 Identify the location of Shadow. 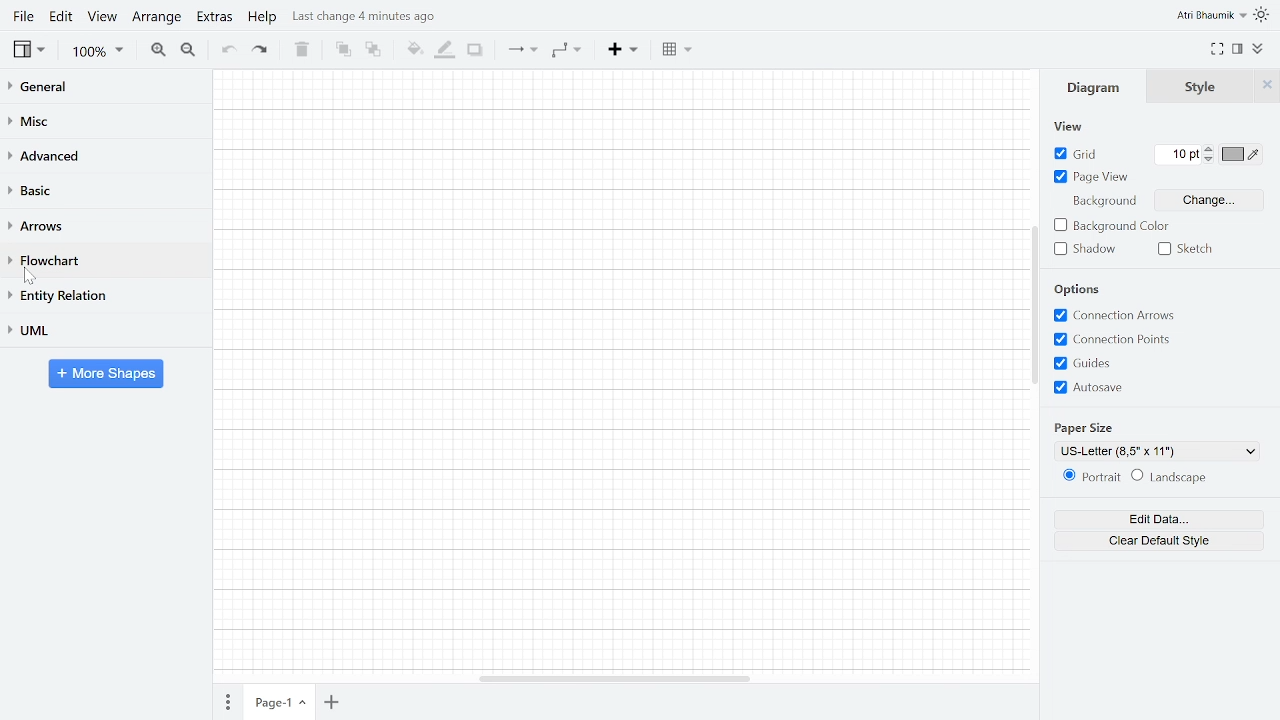
(1084, 249).